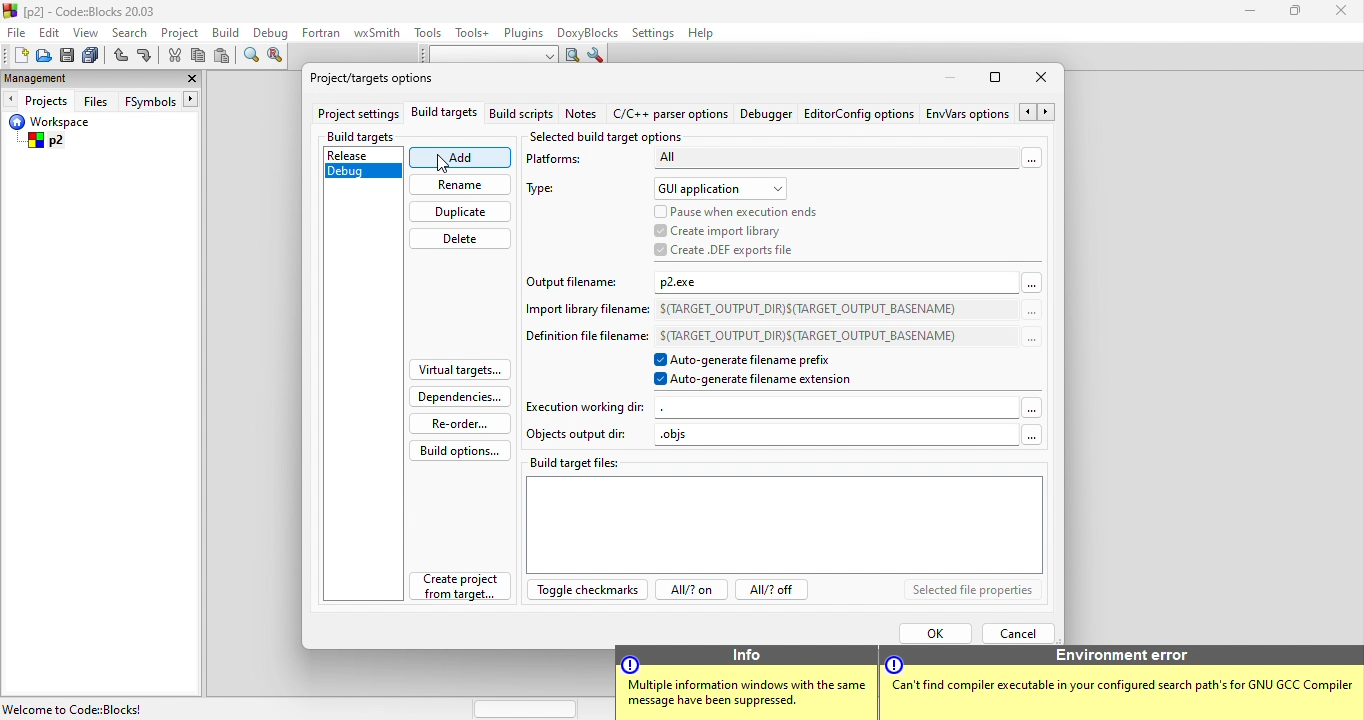 The width and height of the screenshot is (1364, 720). I want to click on project/target option, so click(378, 76).